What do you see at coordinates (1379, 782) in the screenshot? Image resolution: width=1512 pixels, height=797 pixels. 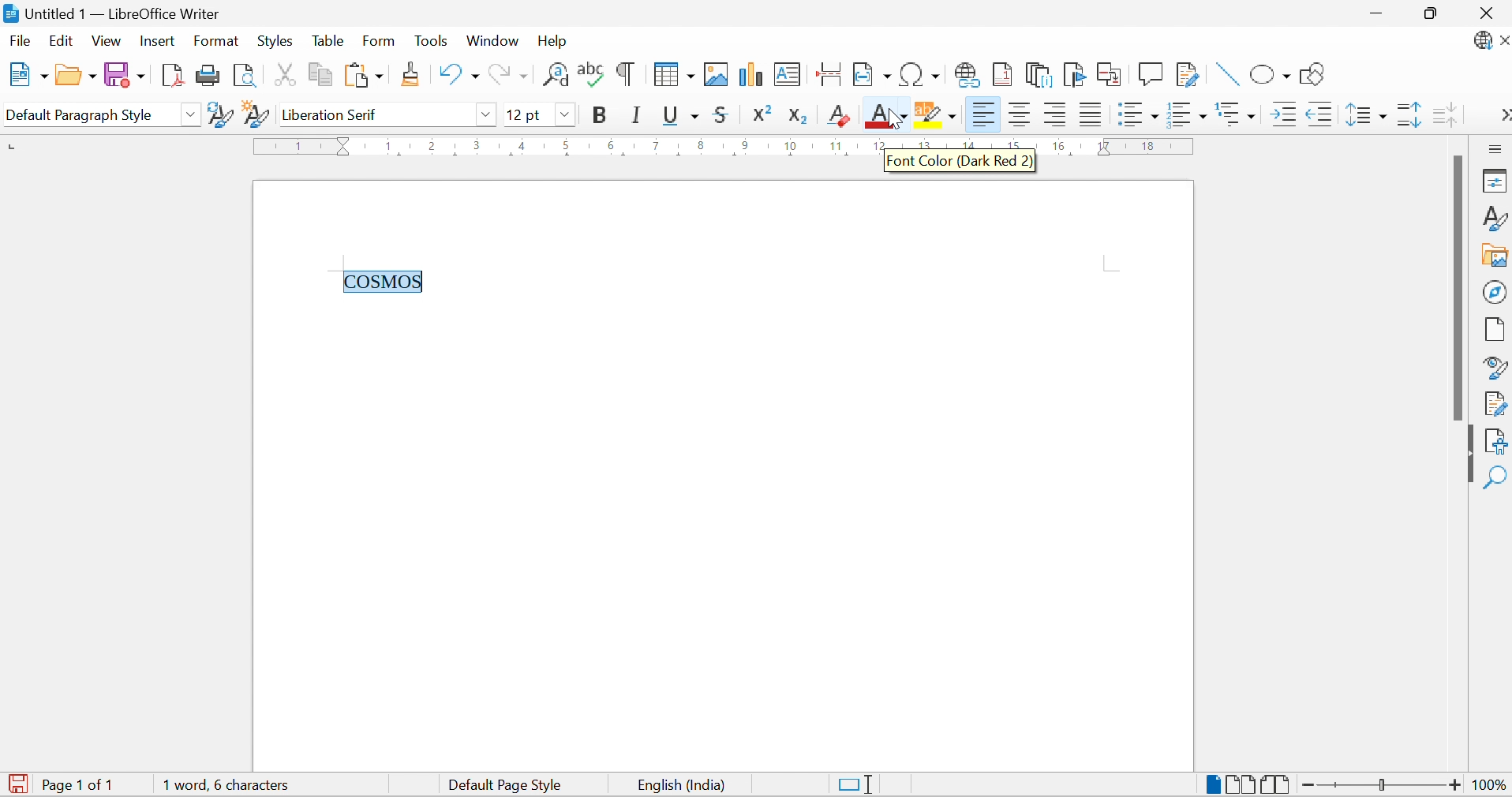 I see `Slider` at bounding box center [1379, 782].